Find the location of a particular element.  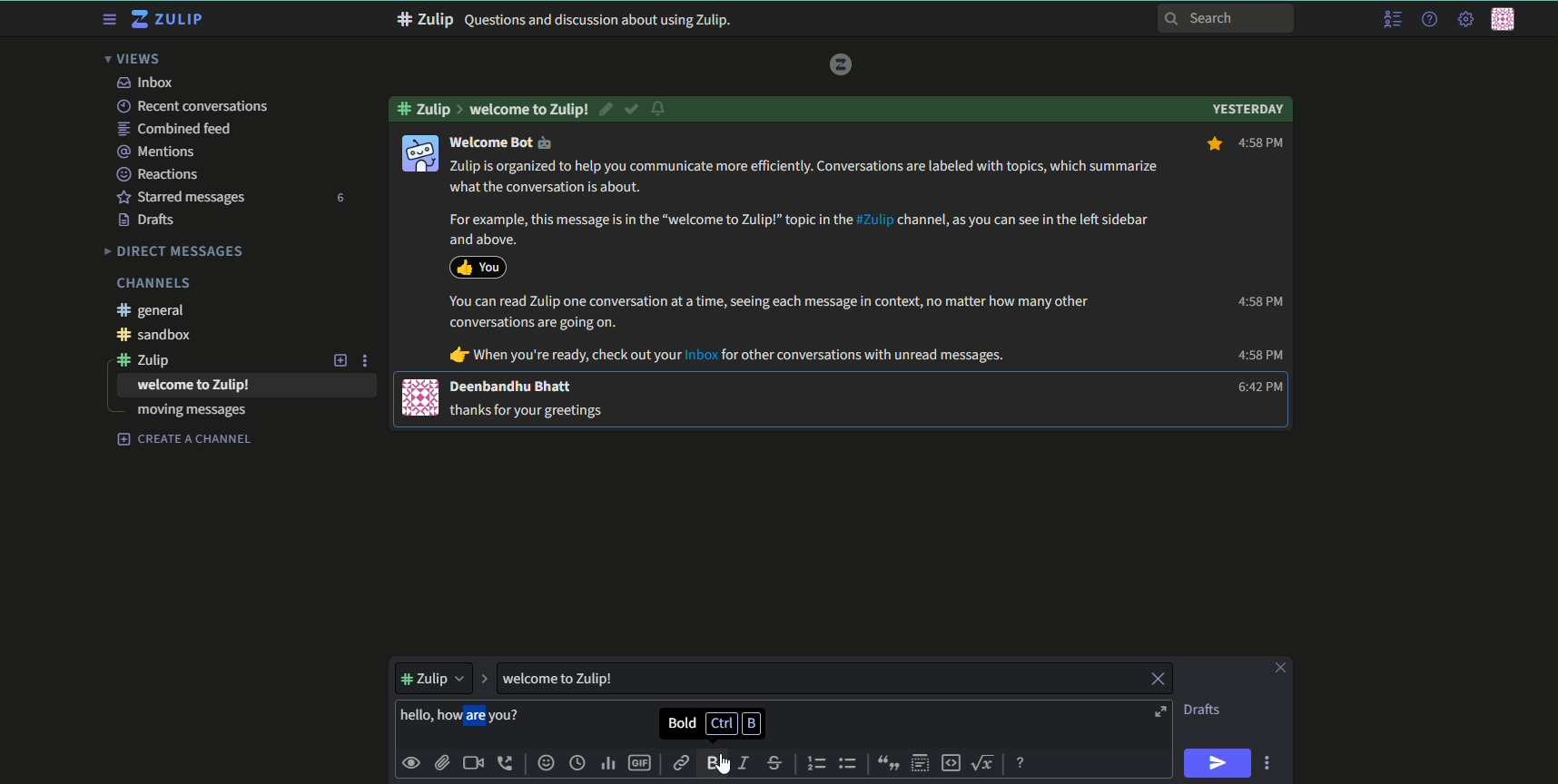

You can read Zulip one conversation at a time, seeing each message in context, no matter how many other
conversations are going on. is located at coordinates (782, 312).